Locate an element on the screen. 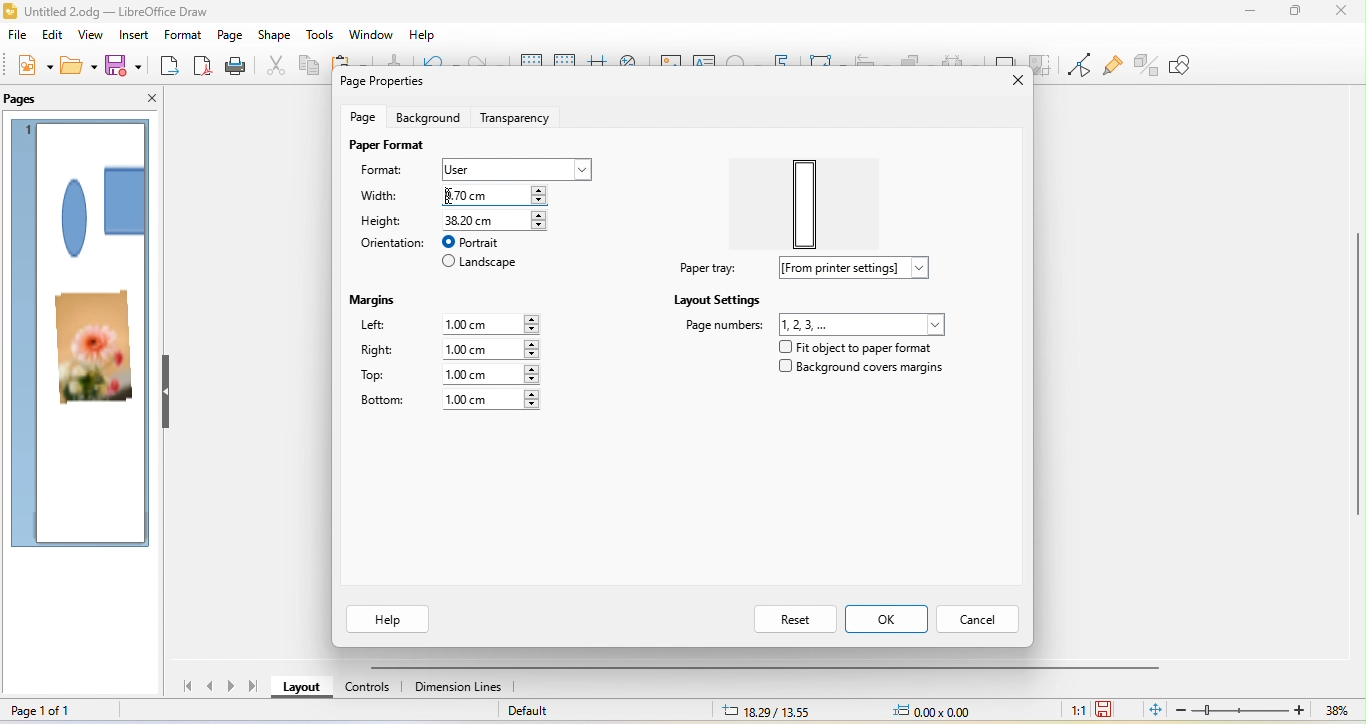 Image resolution: width=1366 pixels, height=724 pixels. open is located at coordinates (79, 68).